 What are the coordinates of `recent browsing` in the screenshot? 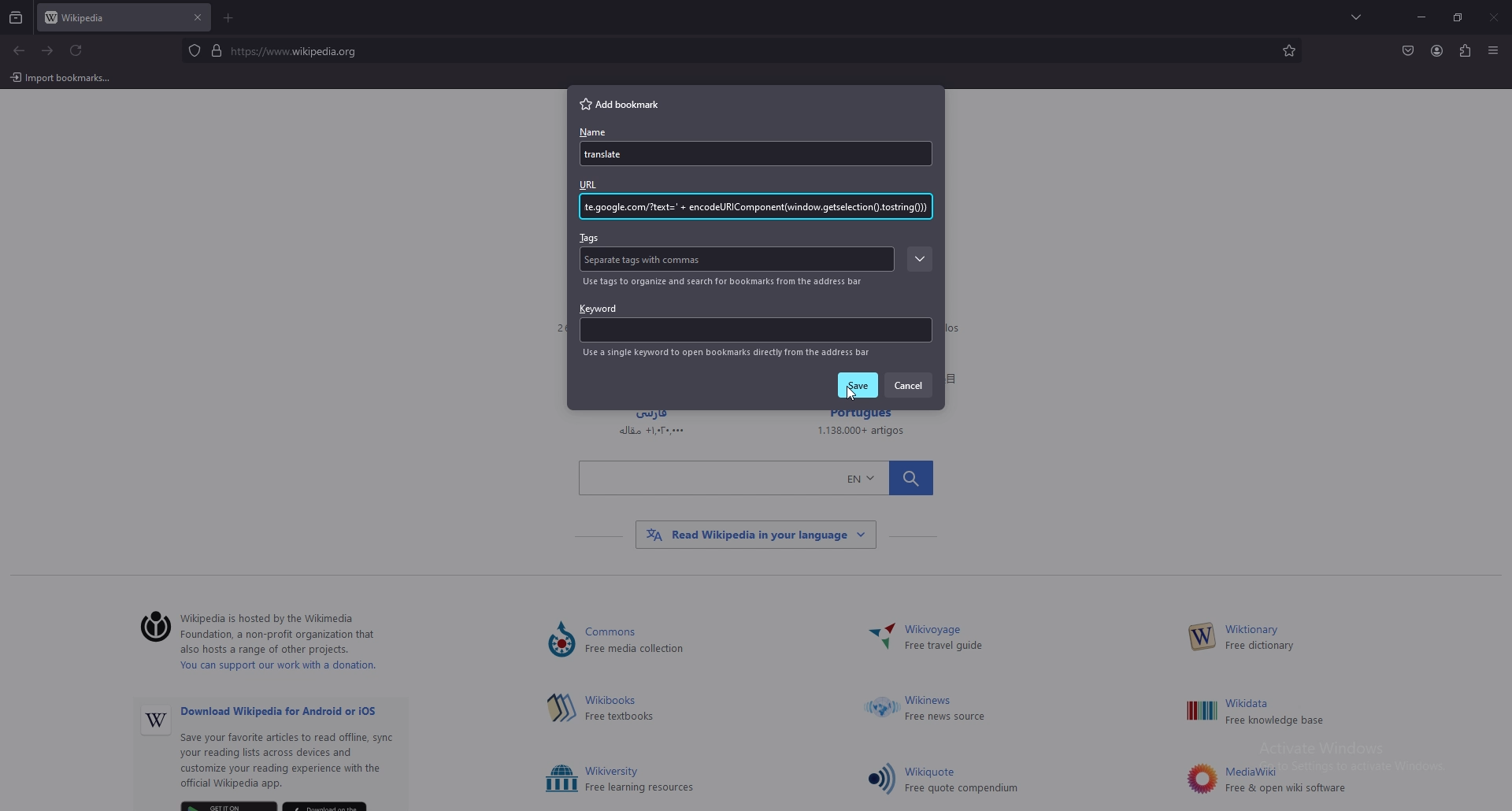 It's located at (17, 19).